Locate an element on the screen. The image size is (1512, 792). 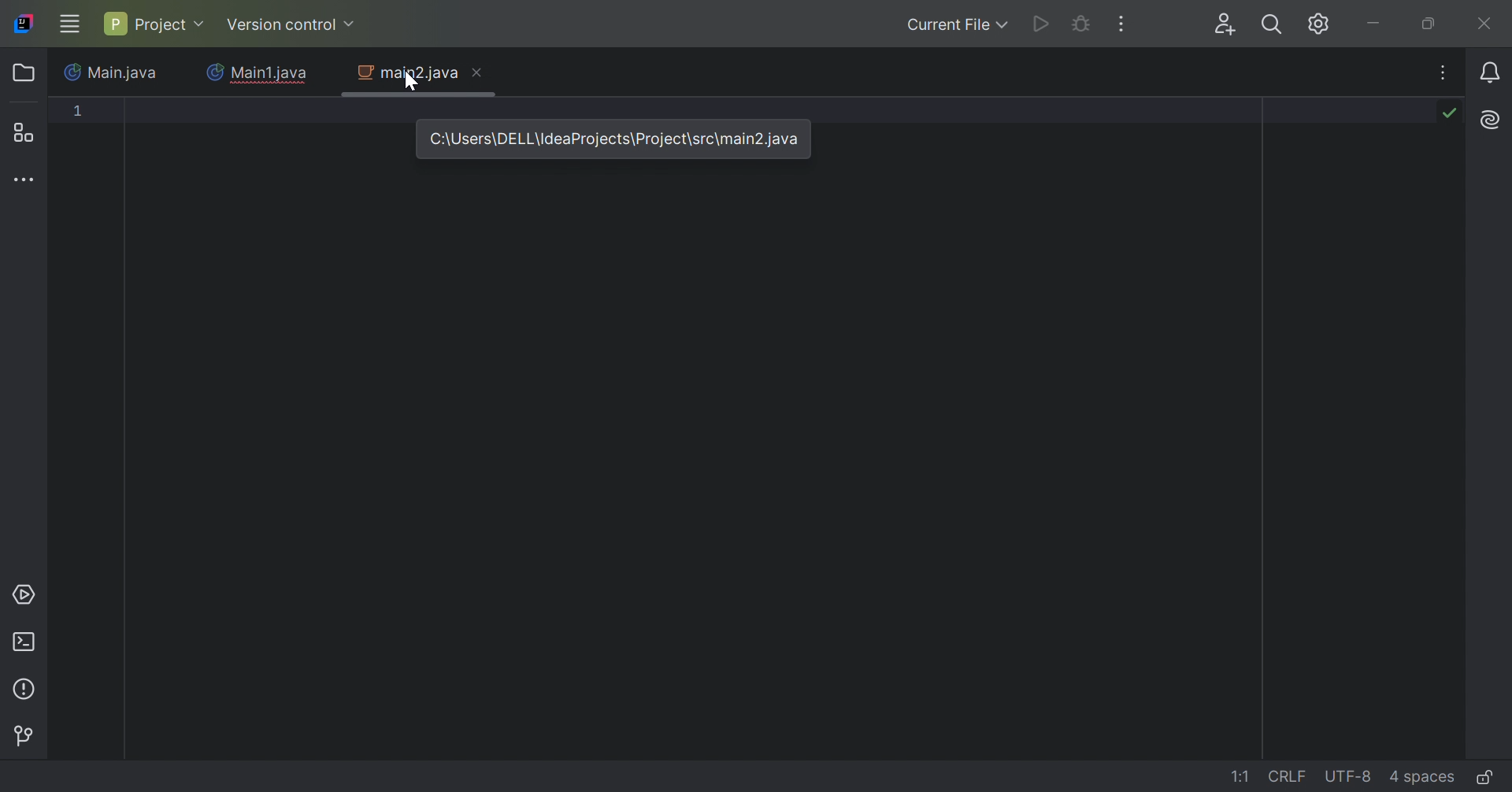
Close is located at coordinates (1486, 24).